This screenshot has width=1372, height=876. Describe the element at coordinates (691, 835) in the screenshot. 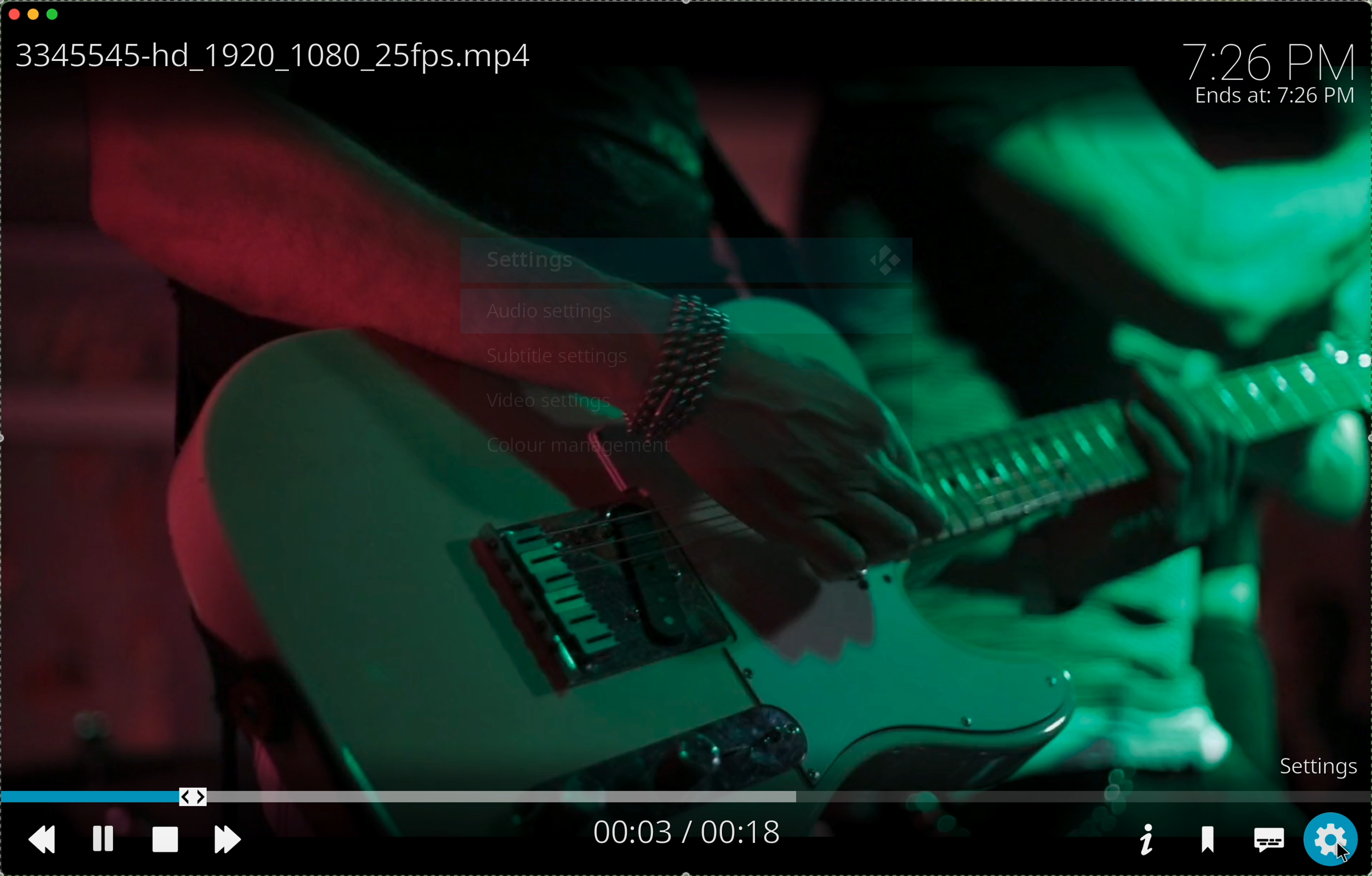

I see `seconds` at that location.